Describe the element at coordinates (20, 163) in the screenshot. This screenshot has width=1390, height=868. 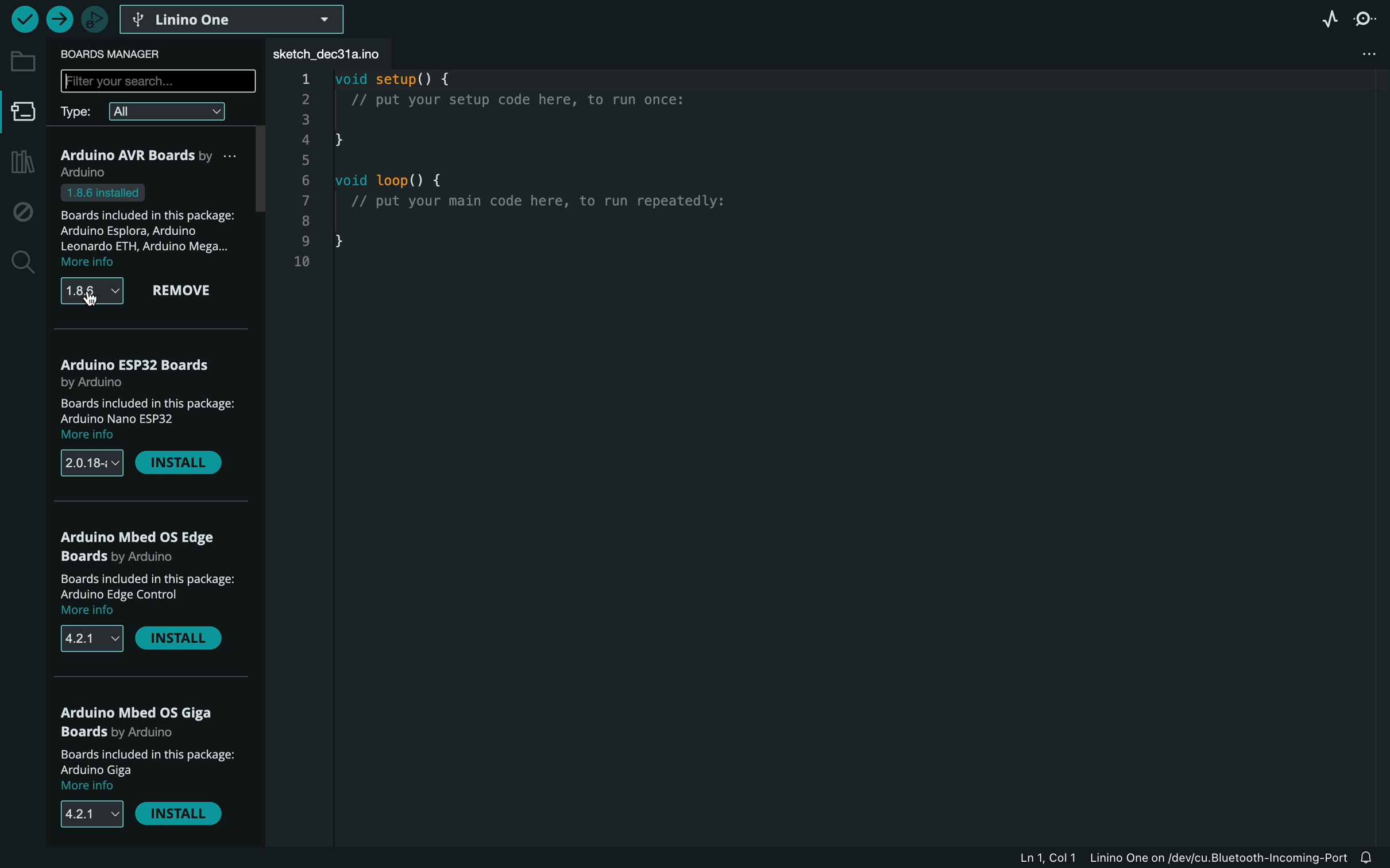
I see `library manager` at that location.